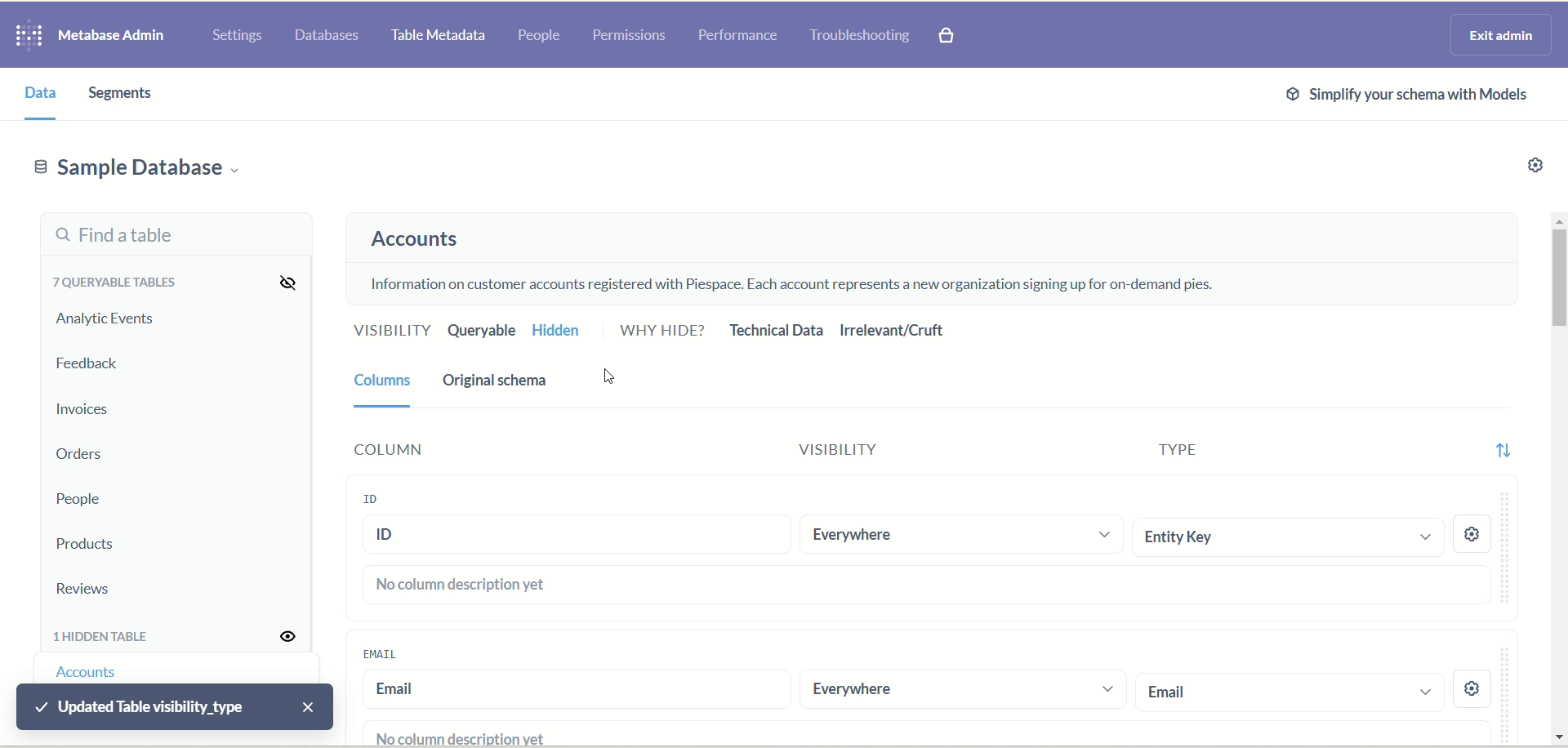  Describe the element at coordinates (238, 38) in the screenshot. I see `settings` at that location.